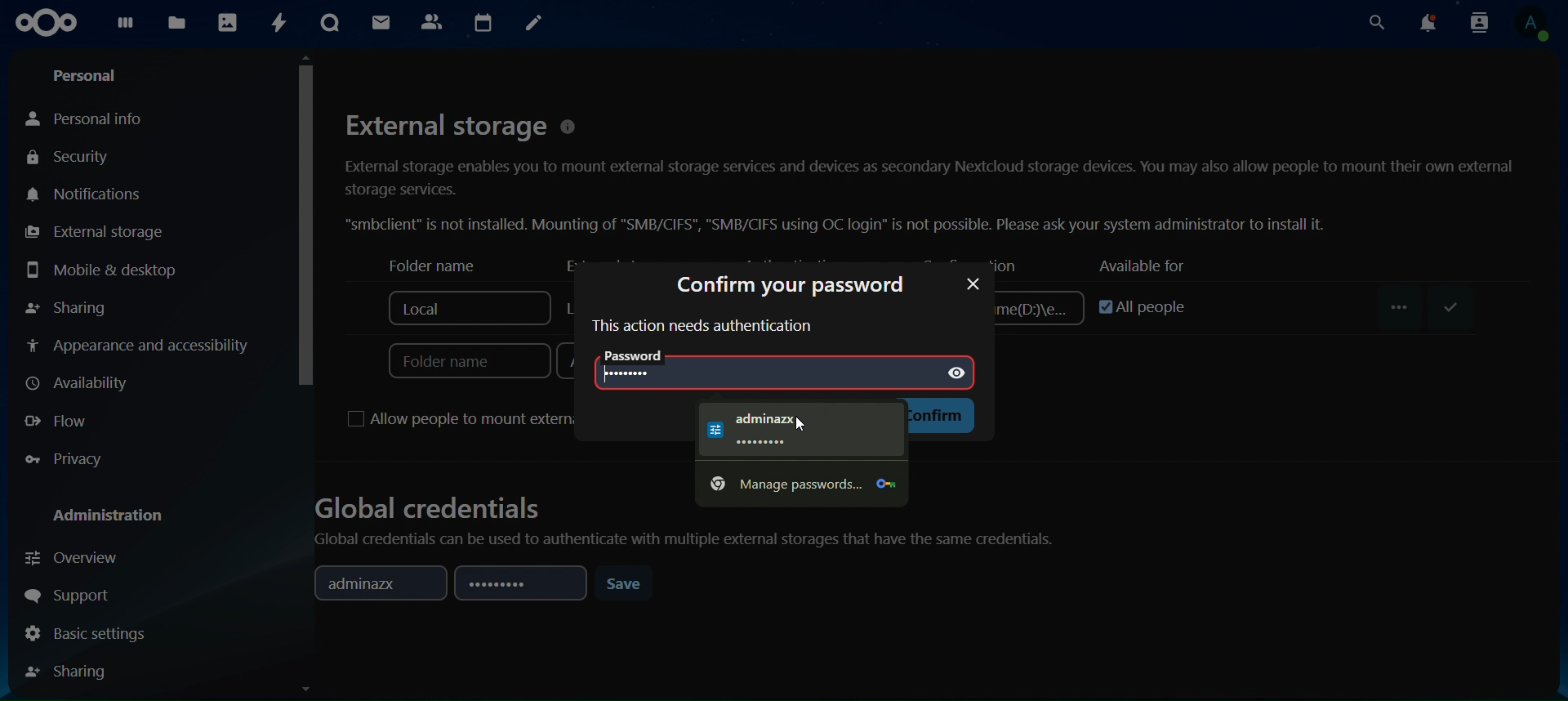 The width and height of the screenshot is (1568, 701). I want to click on save, so click(627, 584).